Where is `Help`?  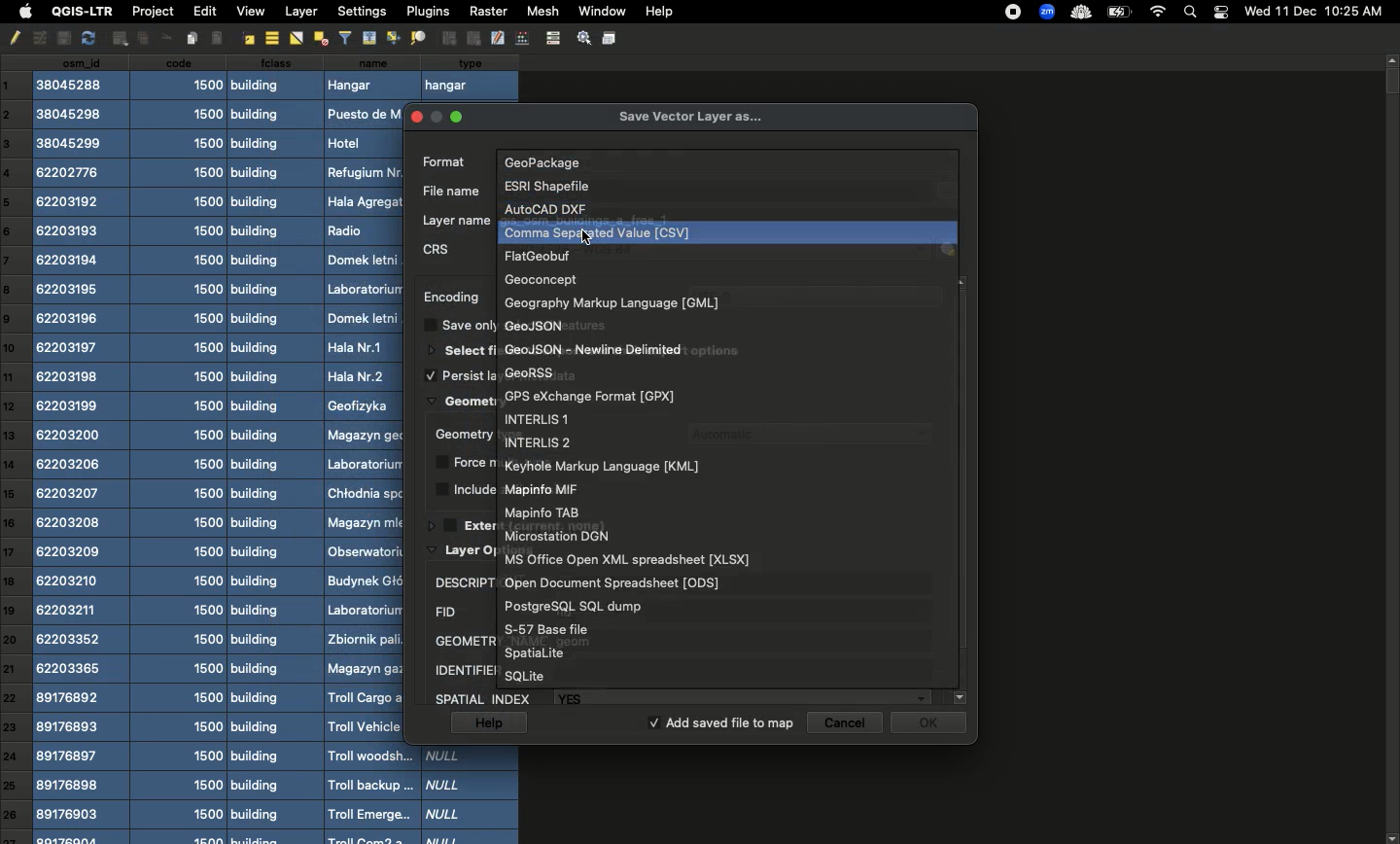 Help is located at coordinates (487, 723).